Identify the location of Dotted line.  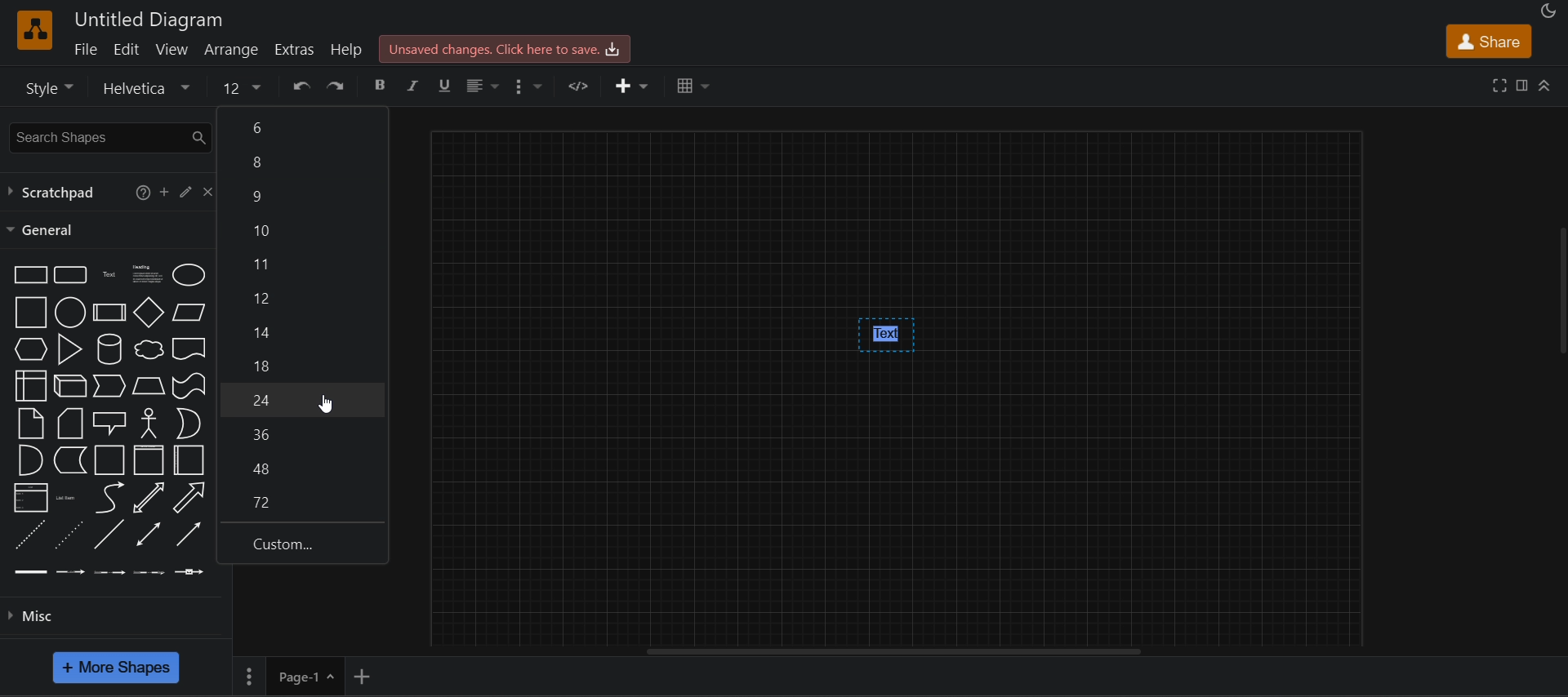
(69, 535).